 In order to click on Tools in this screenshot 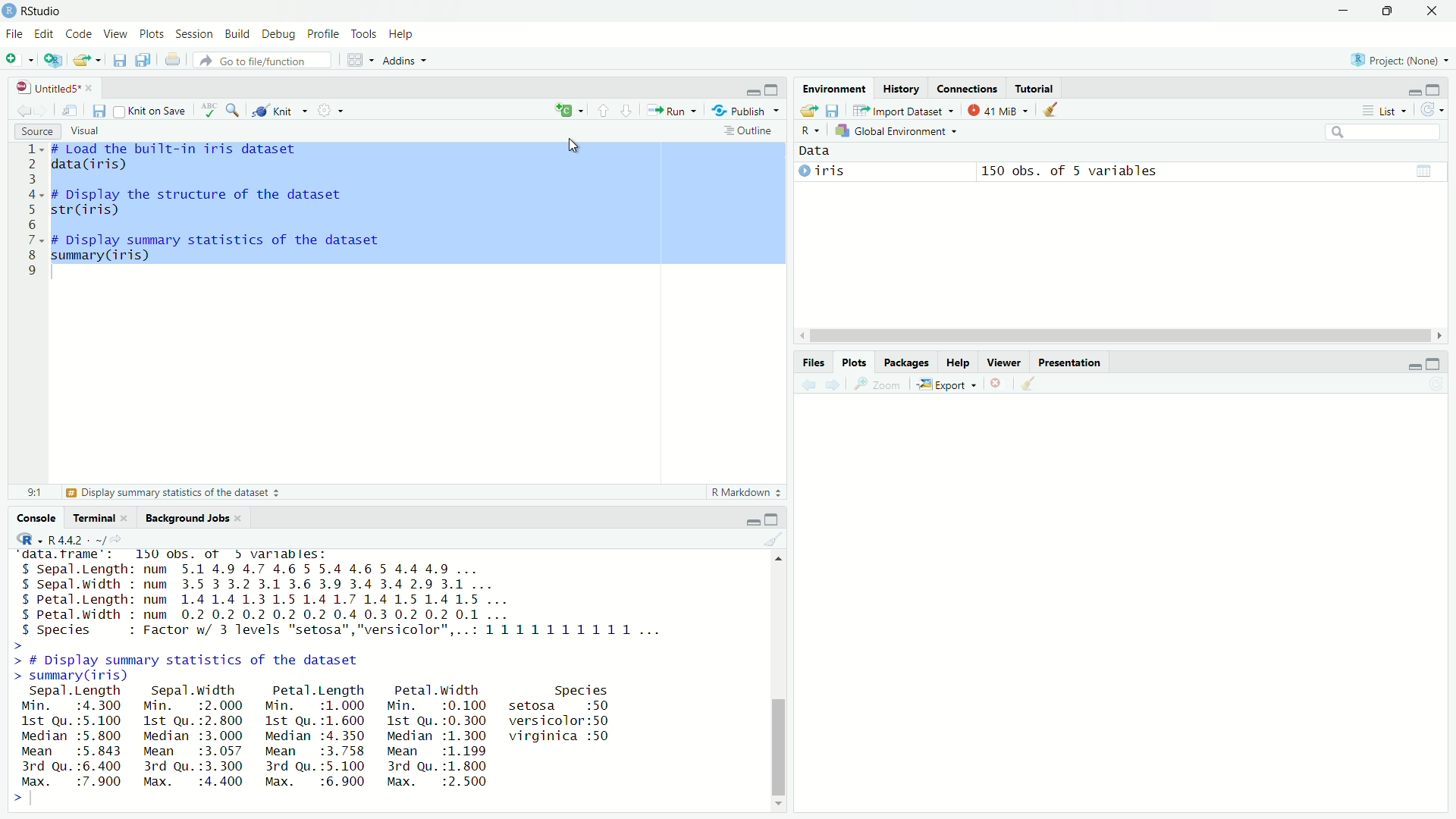, I will do `click(366, 34)`.